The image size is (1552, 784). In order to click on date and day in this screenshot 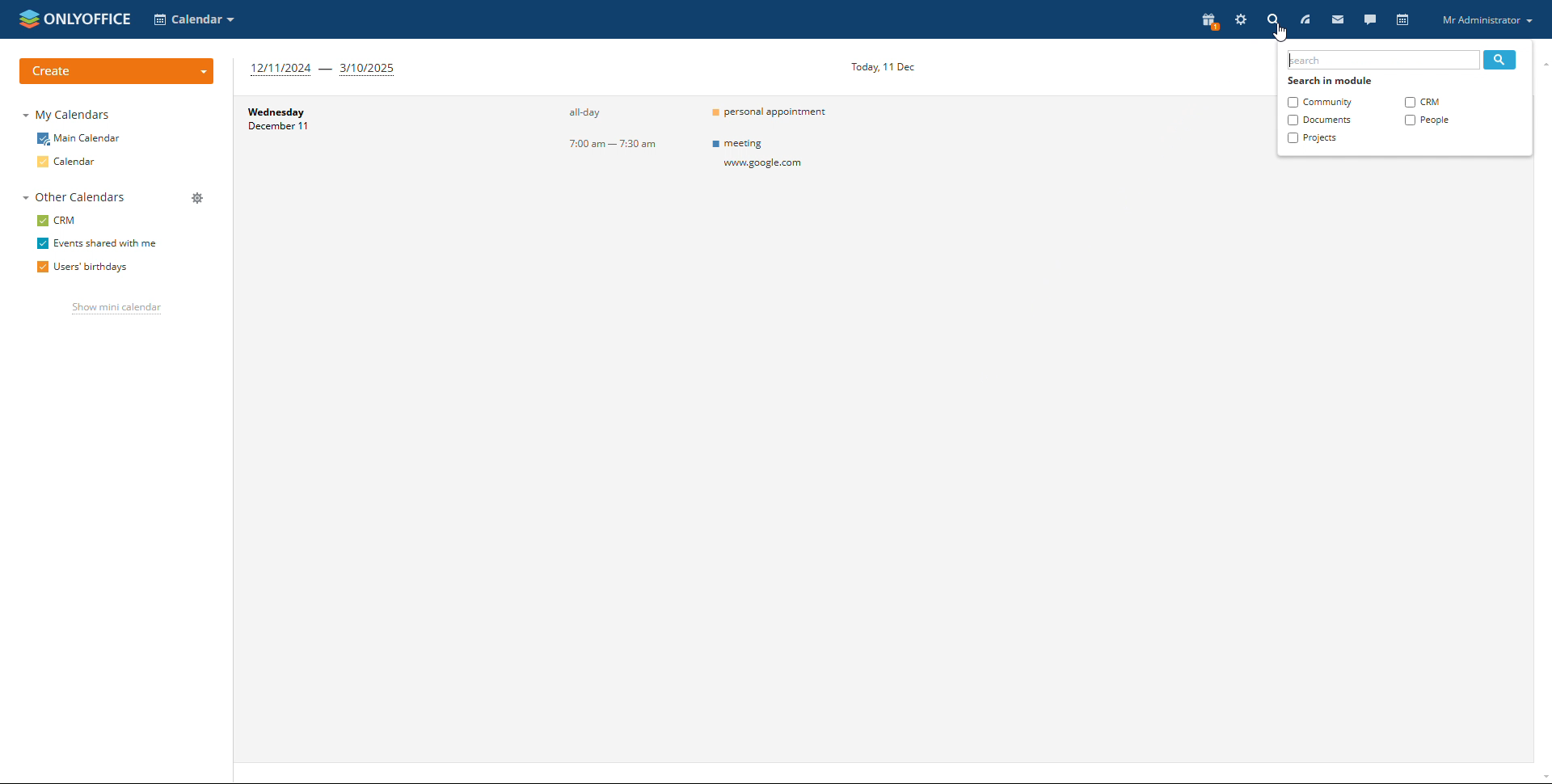, I will do `click(359, 158)`.